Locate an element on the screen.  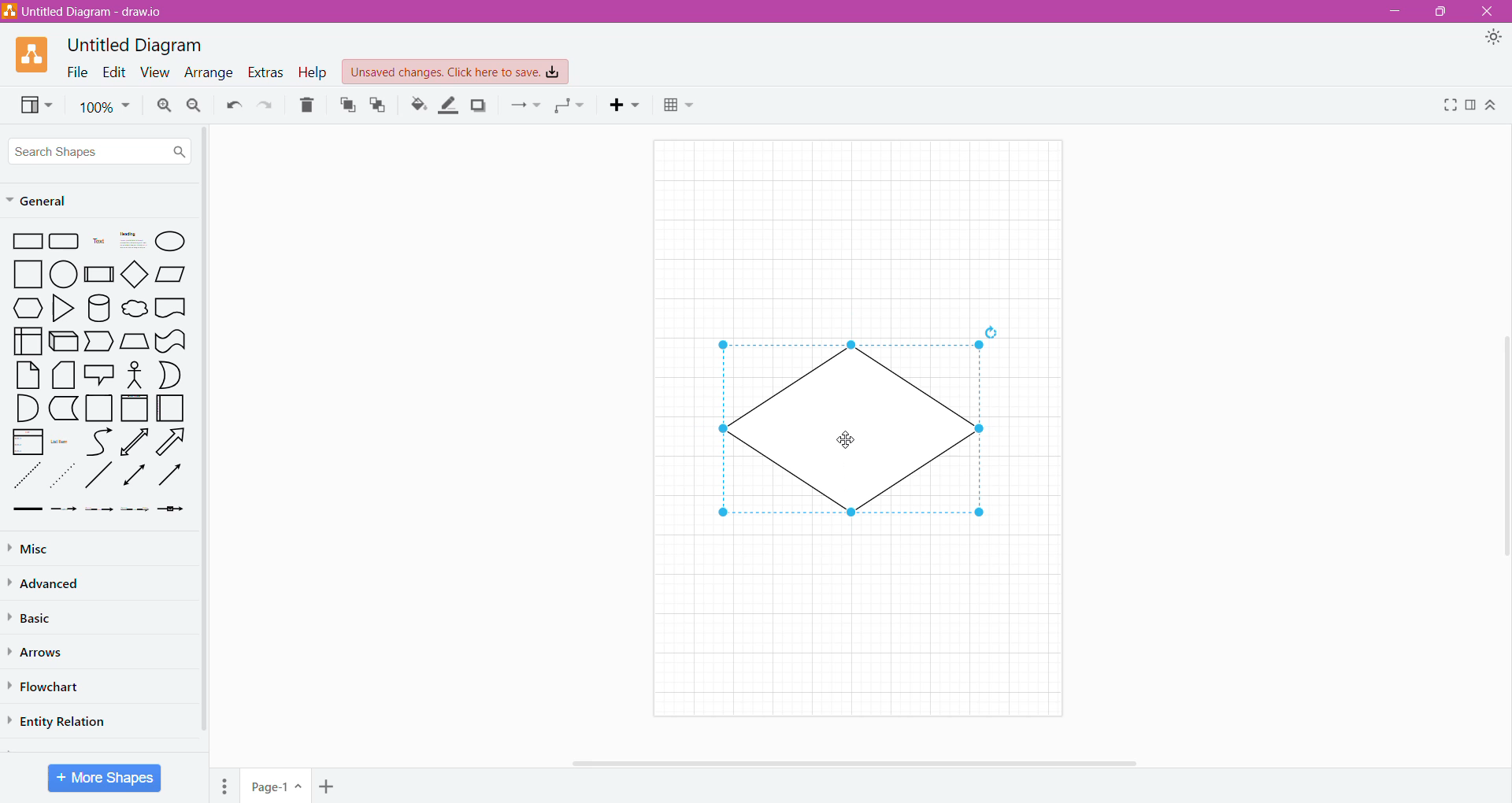
Bidirectional Connector is located at coordinates (135, 478).